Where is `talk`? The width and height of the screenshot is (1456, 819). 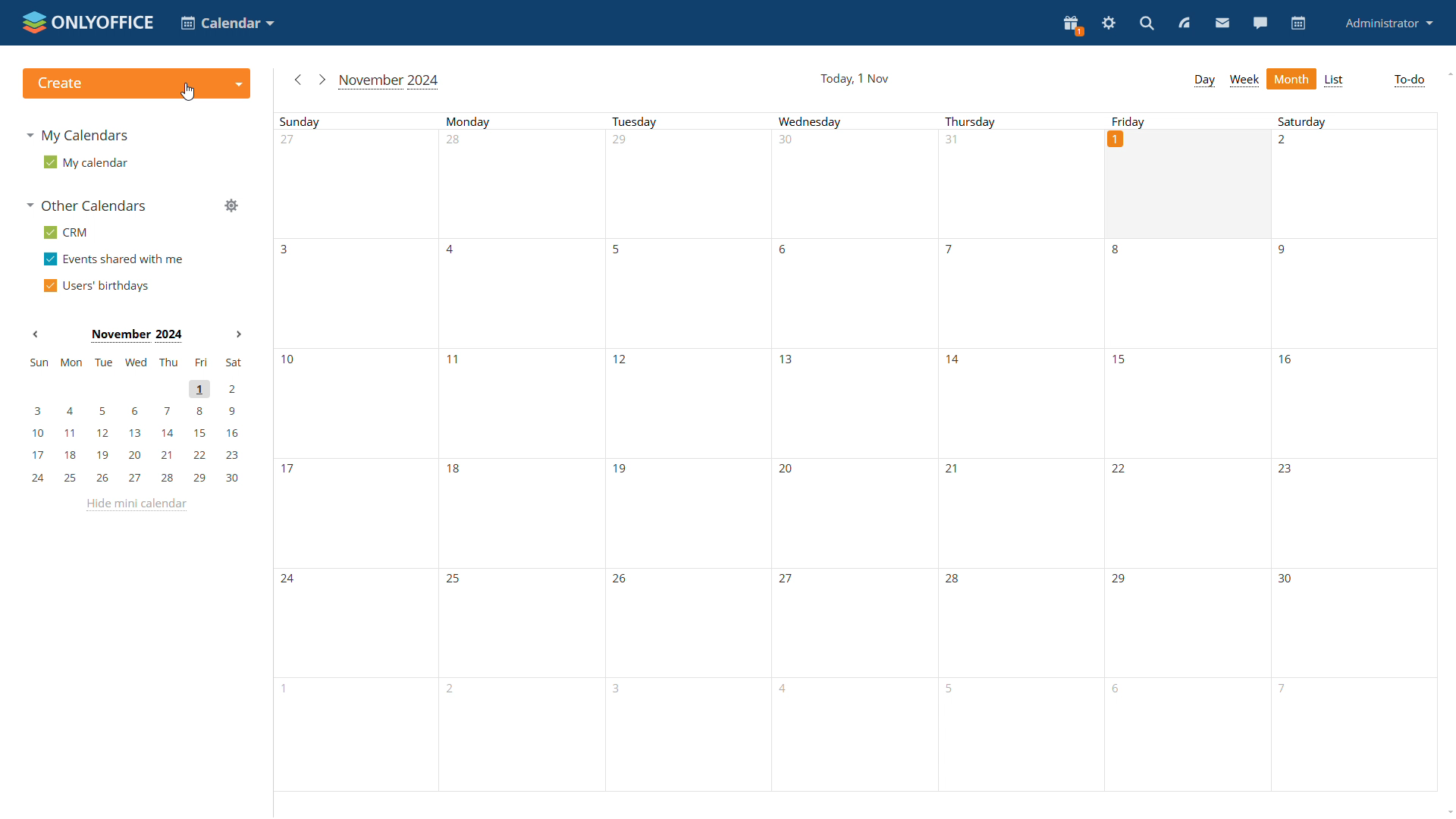
talk is located at coordinates (1260, 24).